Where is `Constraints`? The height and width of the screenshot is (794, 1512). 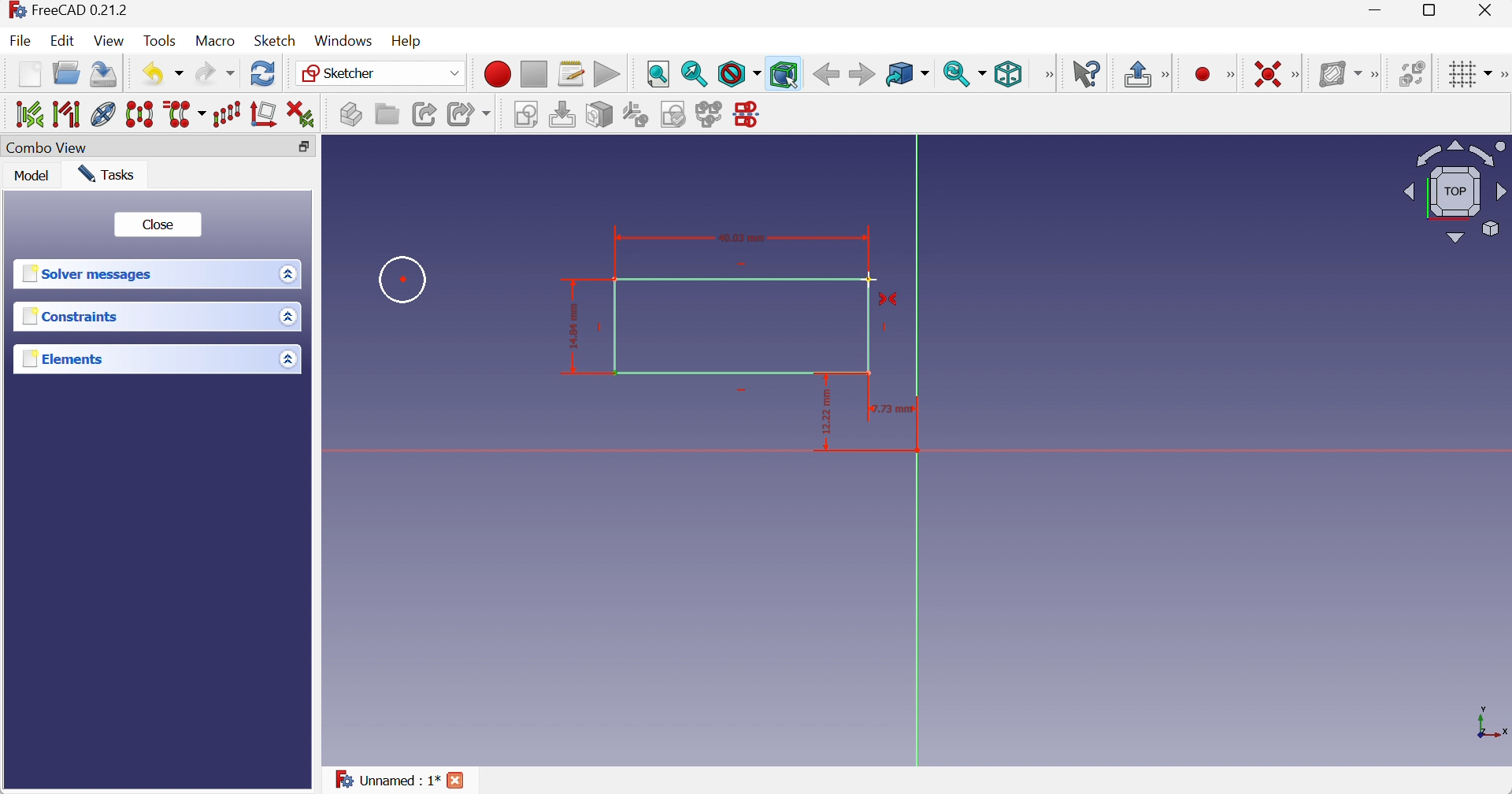
Constraints is located at coordinates (73, 315).